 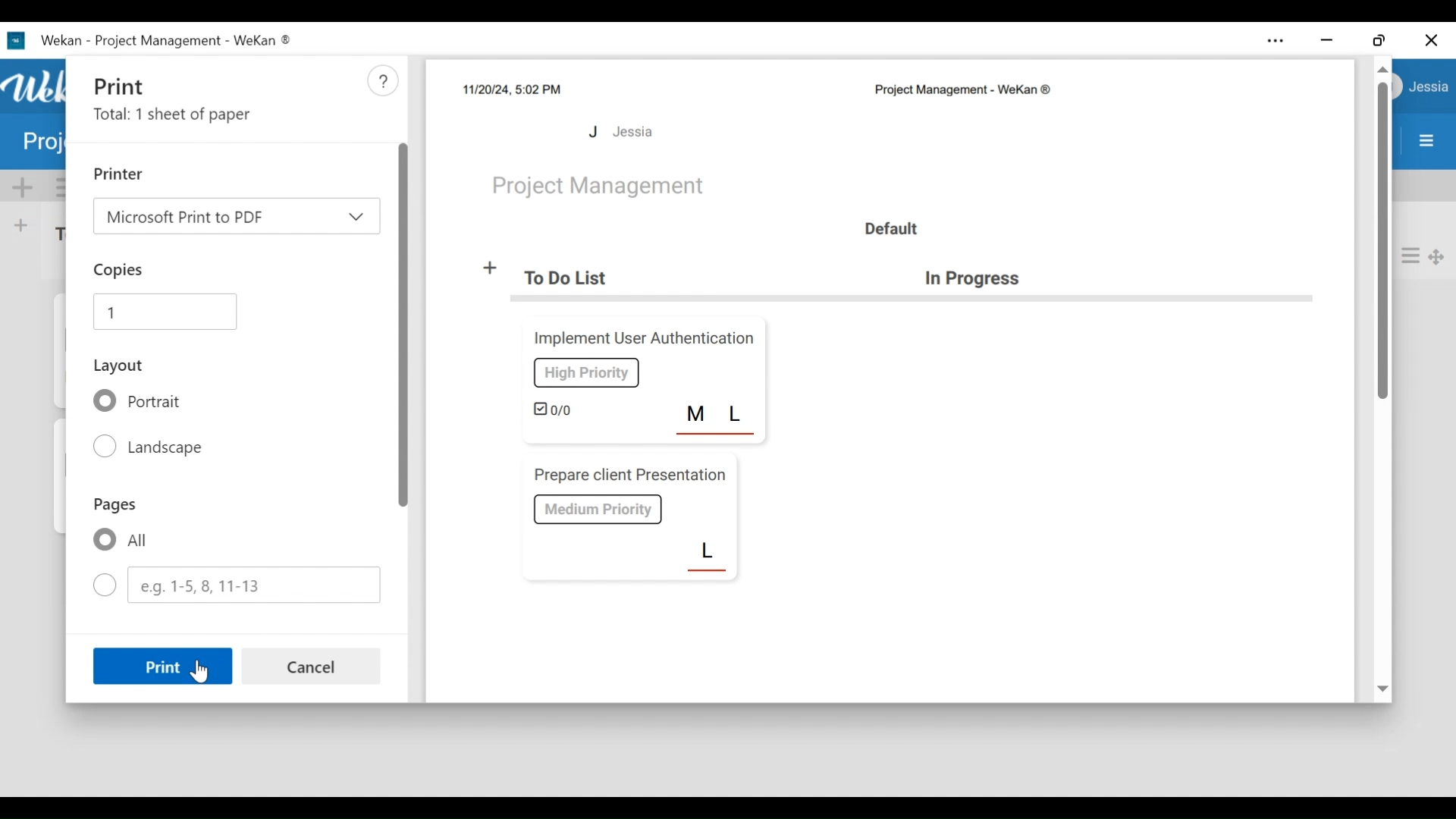 What do you see at coordinates (236, 584) in the screenshot?
I see `un(select) number` at bounding box center [236, 584].